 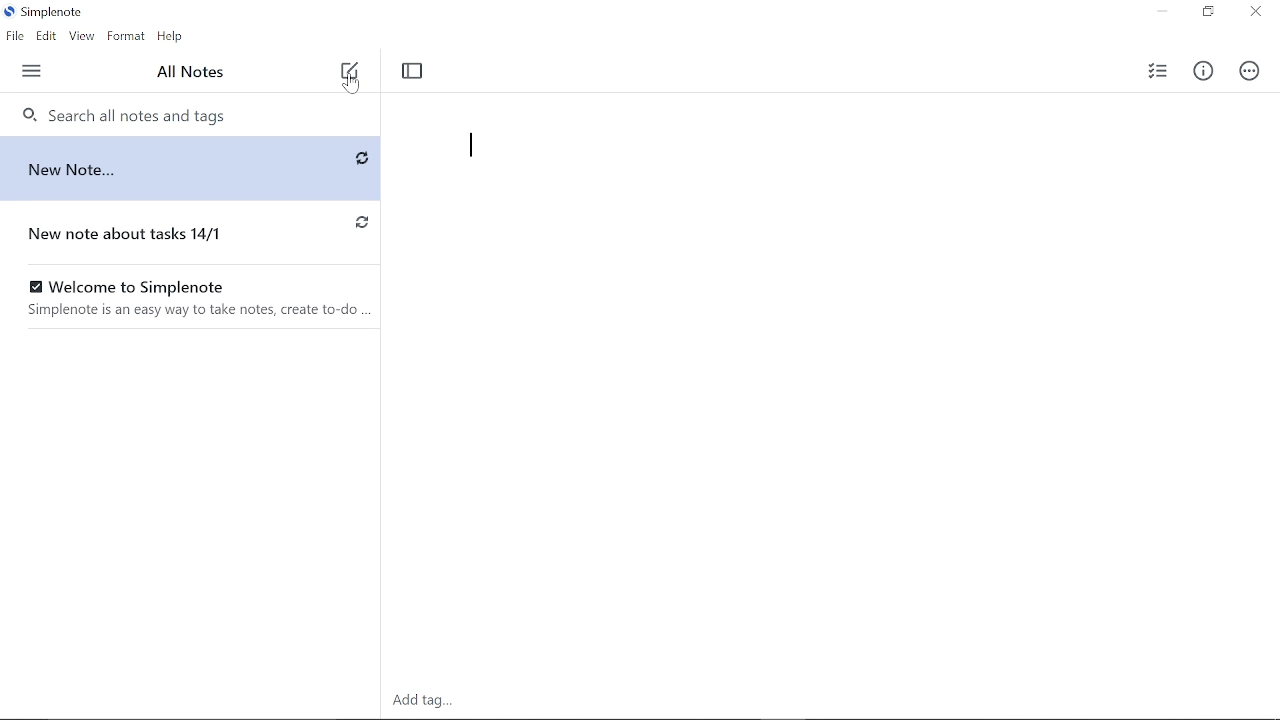 What do you see at coordinates (14, 36) in the screenshot?
I see `File` at bounding box center [14, 36].